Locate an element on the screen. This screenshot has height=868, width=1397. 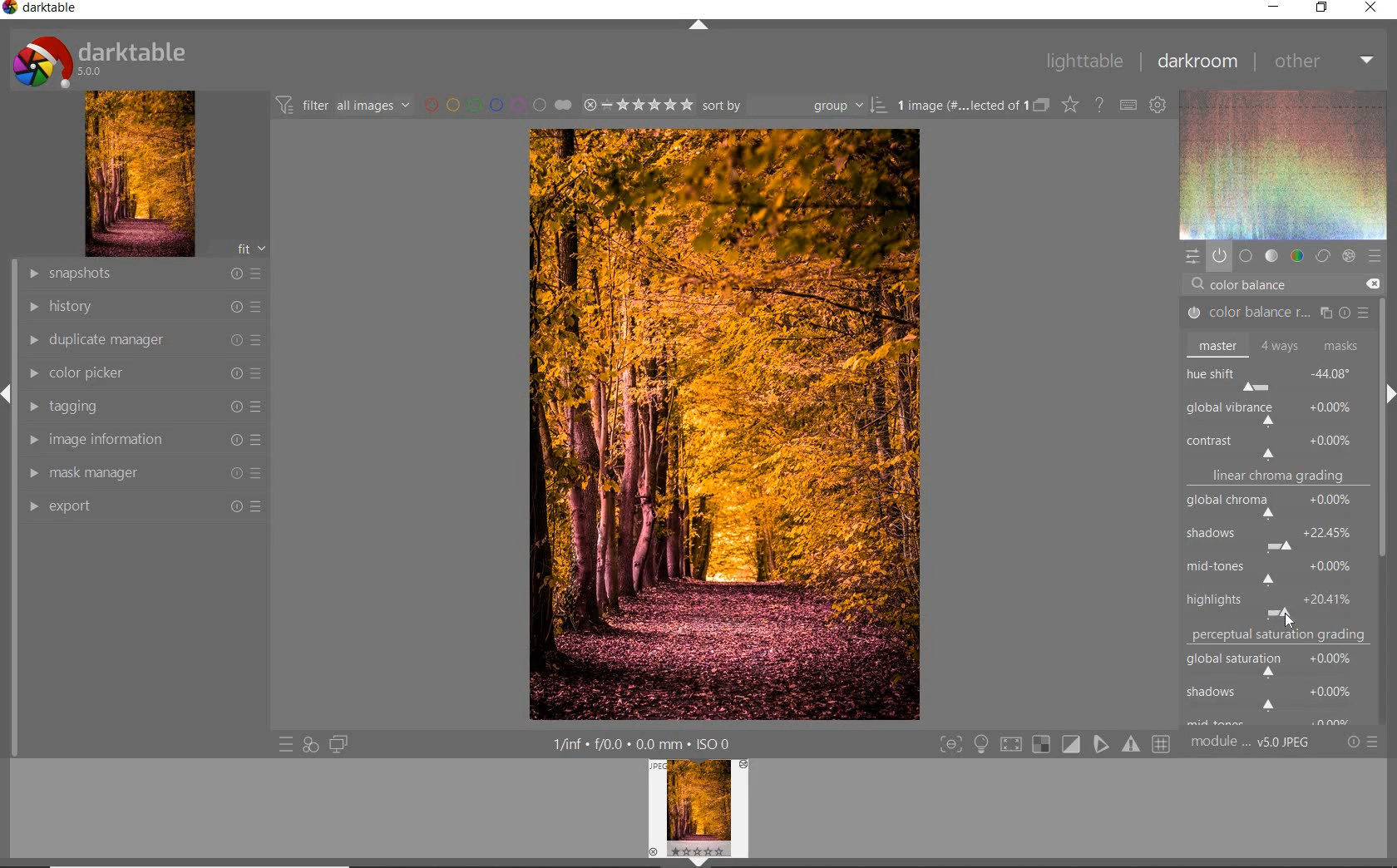
tone is located at coordinates (1271, 257).